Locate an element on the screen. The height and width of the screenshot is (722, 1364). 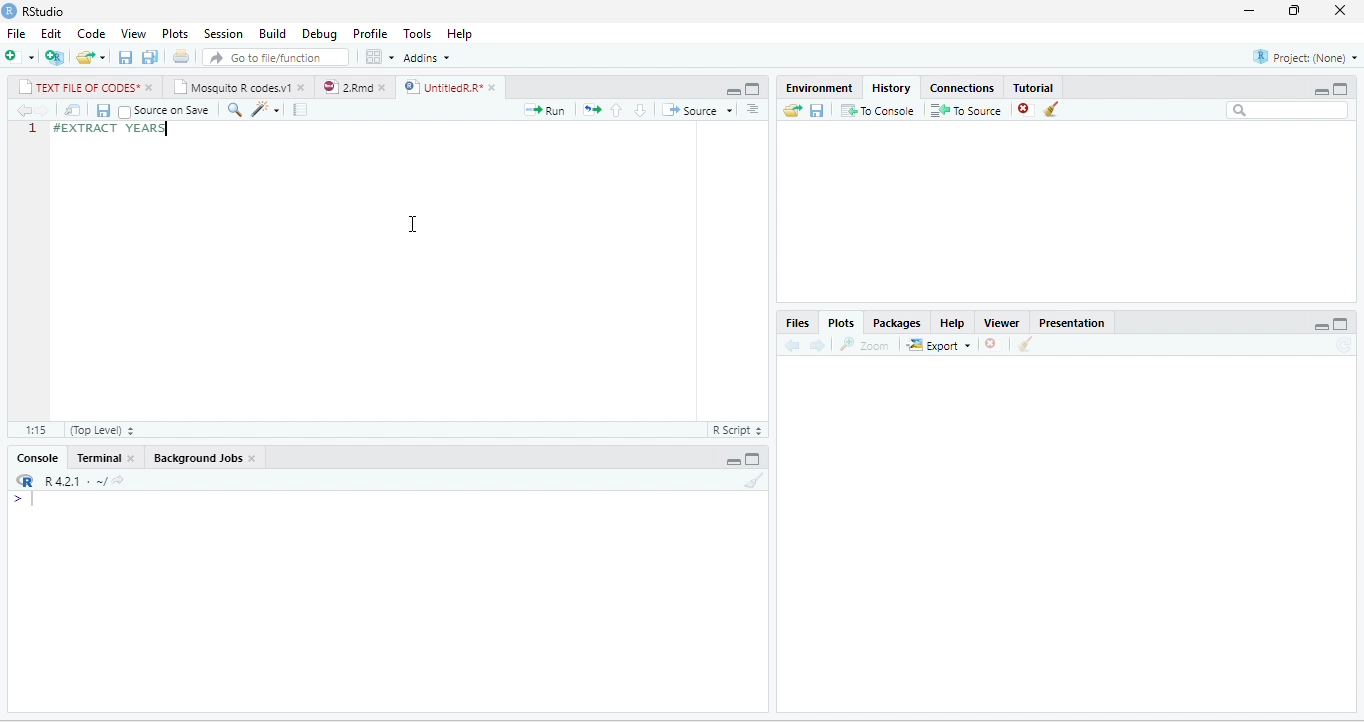
logo is located at coordinates (10, 11).